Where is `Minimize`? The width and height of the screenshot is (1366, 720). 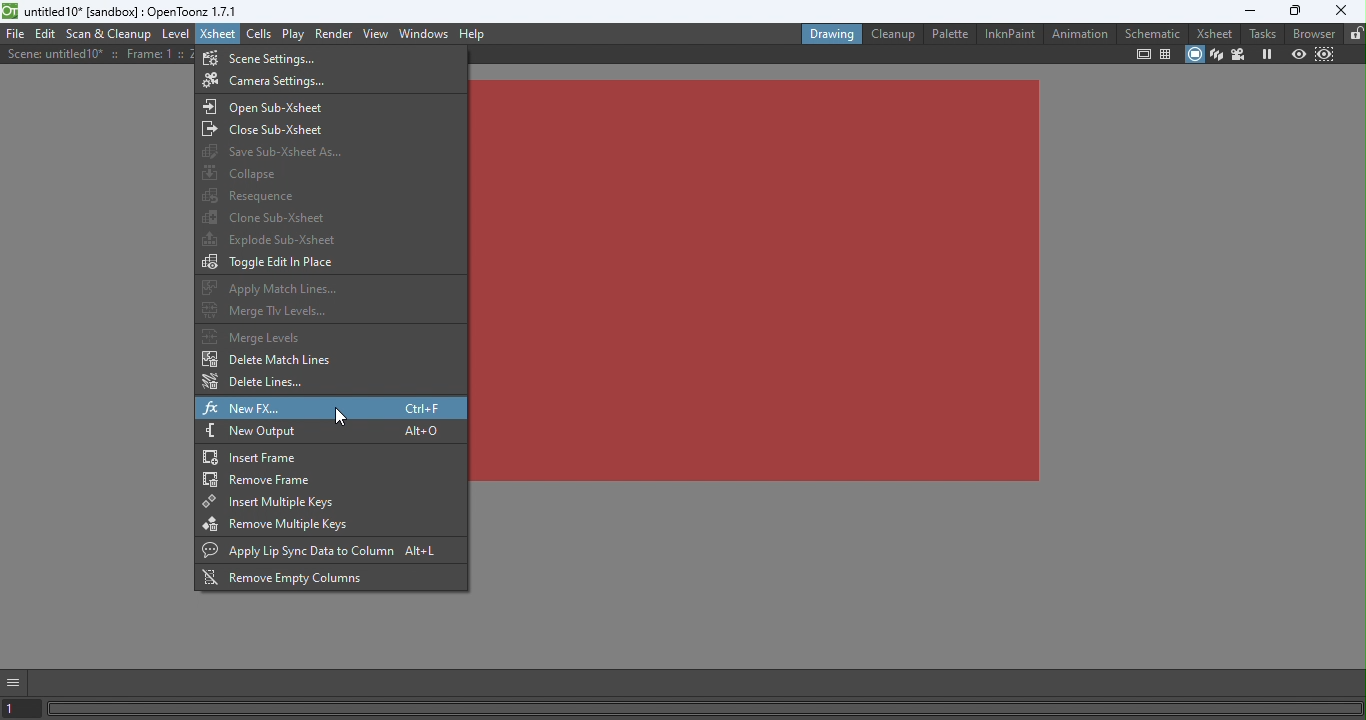 Minimize is located at coordinates (1247, 11).